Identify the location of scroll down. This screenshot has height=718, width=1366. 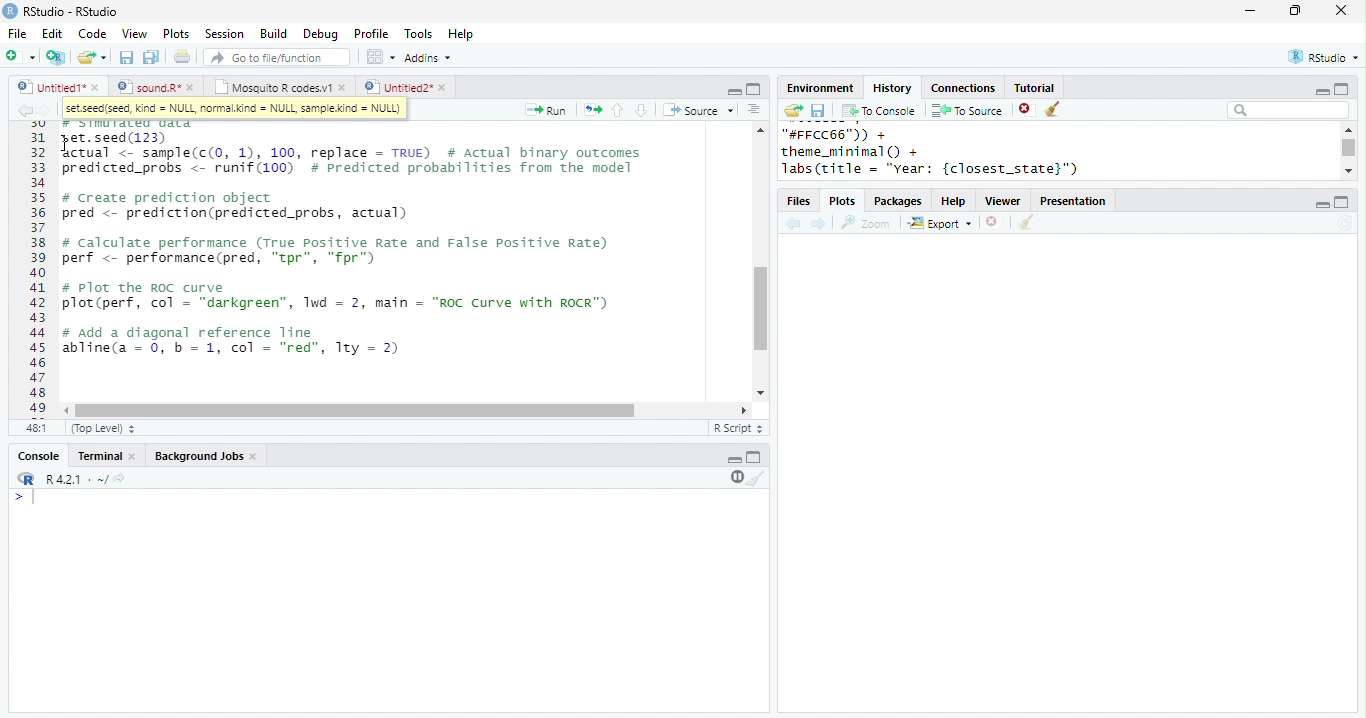
(1348, 170).